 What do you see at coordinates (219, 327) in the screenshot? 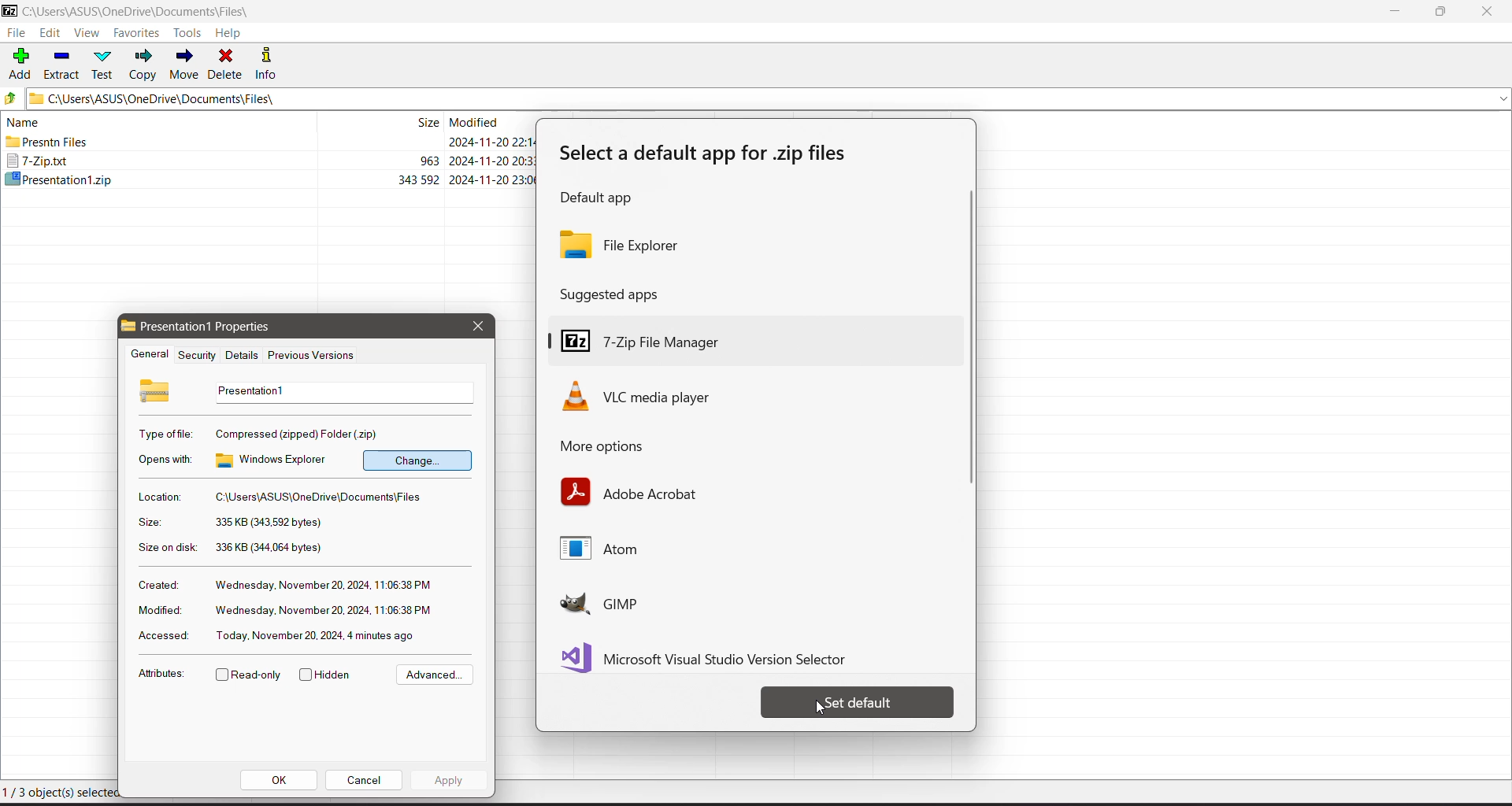
I see `Selected File properties` at bounding box center [219, 327].